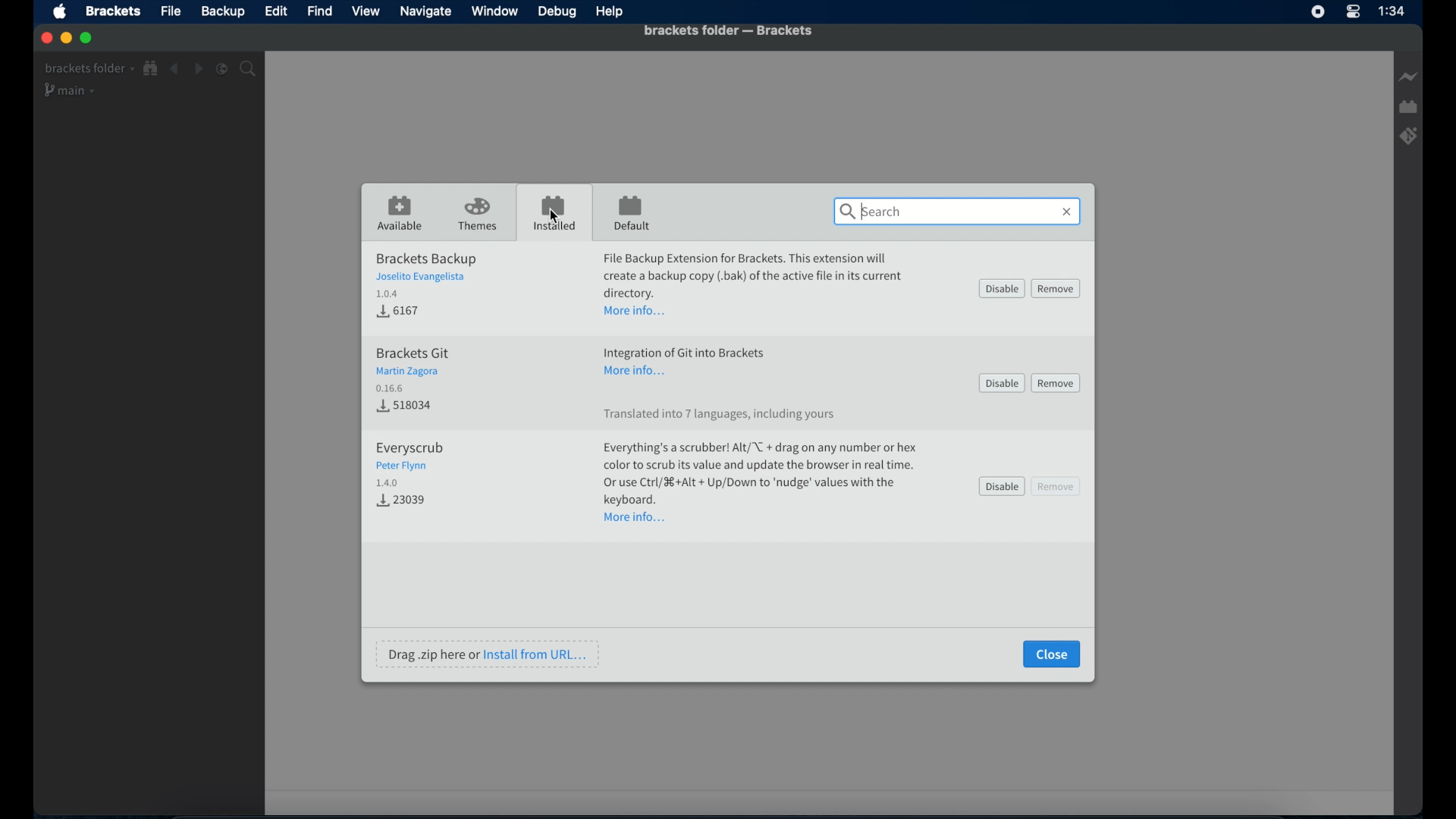 This screenshot has height=819, width=1456. Describe the element at coordinates (632, 212) in the screenshot. I see `default` at that location.